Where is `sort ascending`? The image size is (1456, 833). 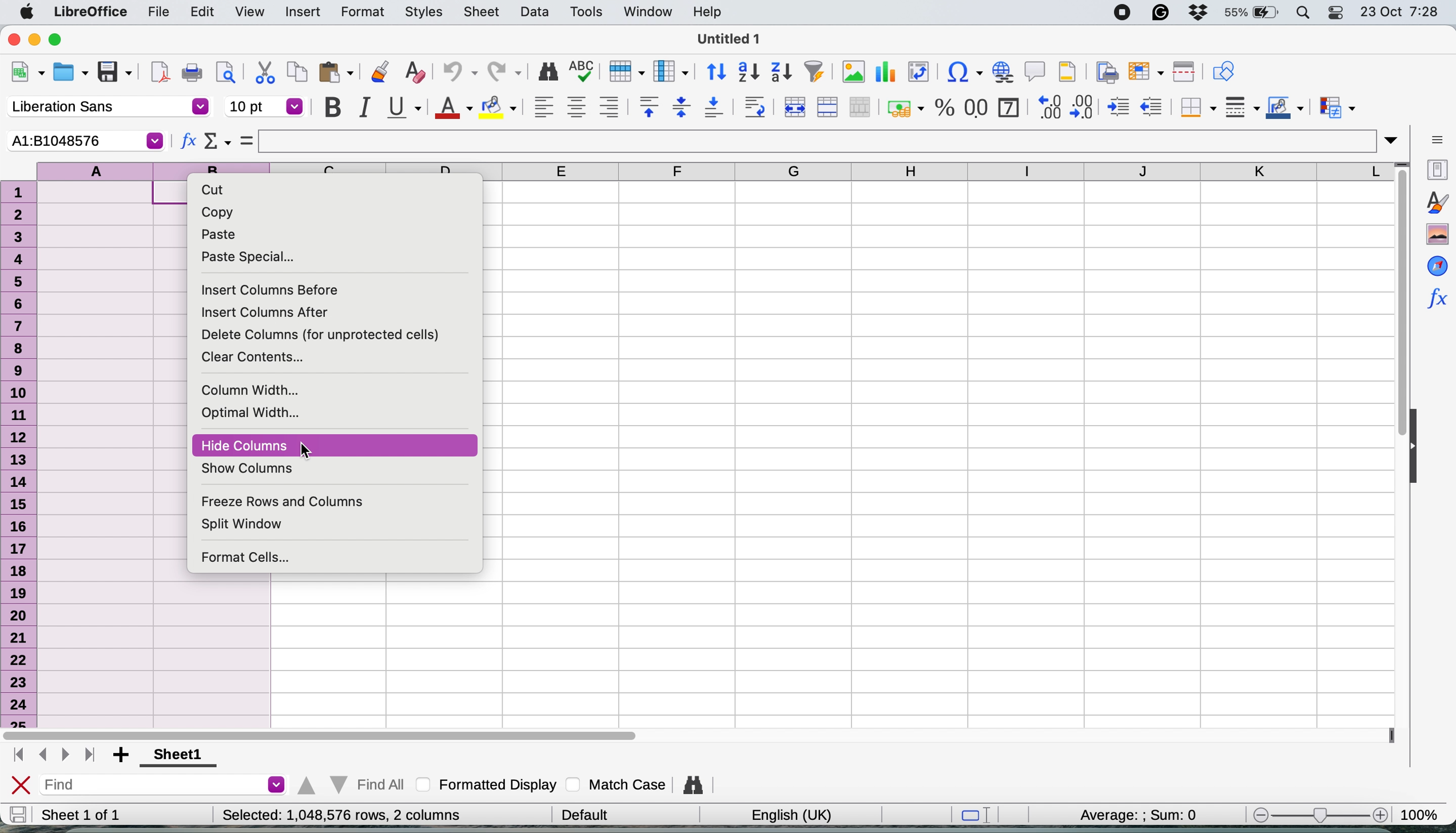 sort ascending is located at coordinates (749, 72).